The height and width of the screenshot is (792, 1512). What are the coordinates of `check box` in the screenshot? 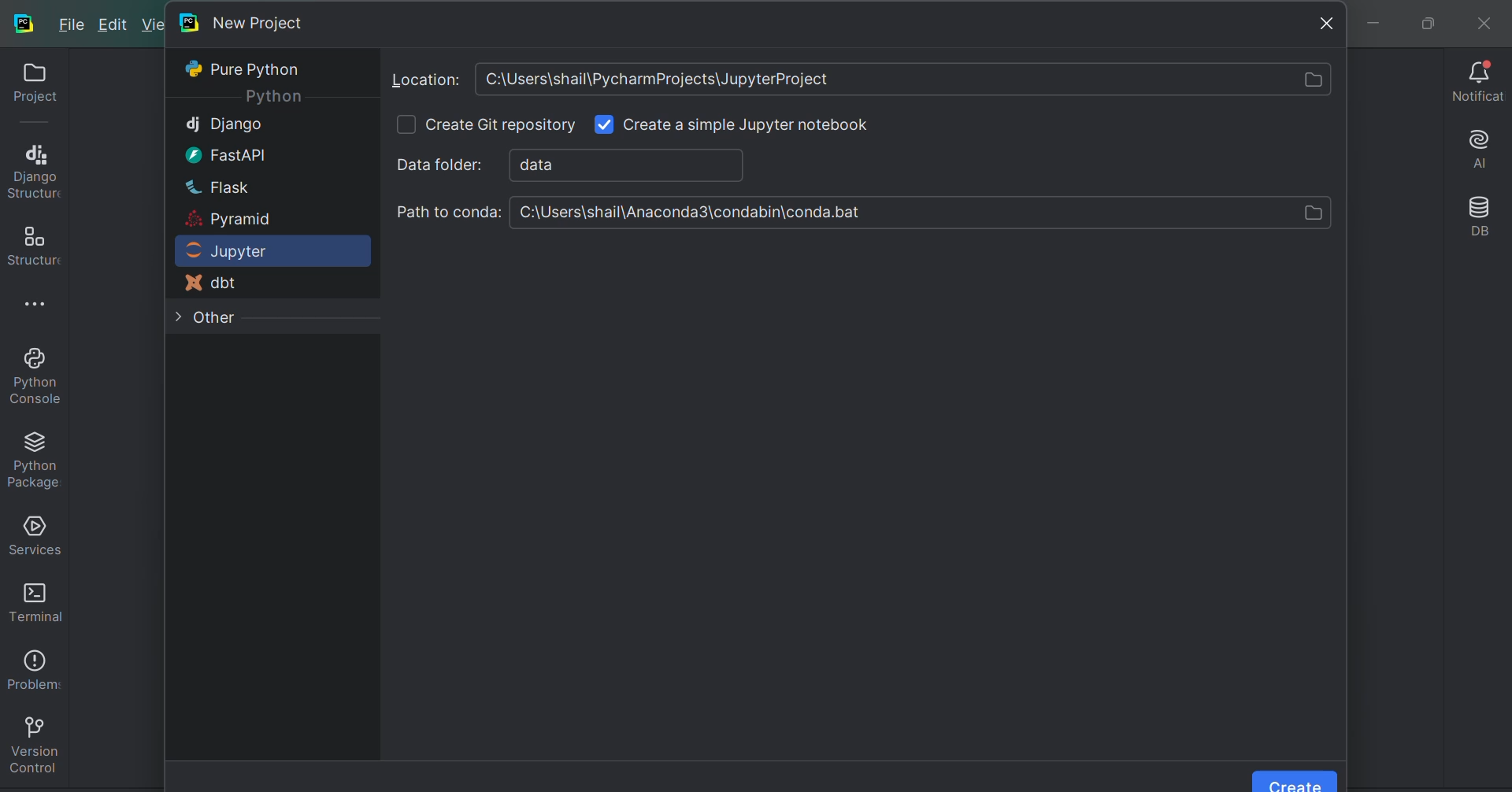 It's located at (406, 124).